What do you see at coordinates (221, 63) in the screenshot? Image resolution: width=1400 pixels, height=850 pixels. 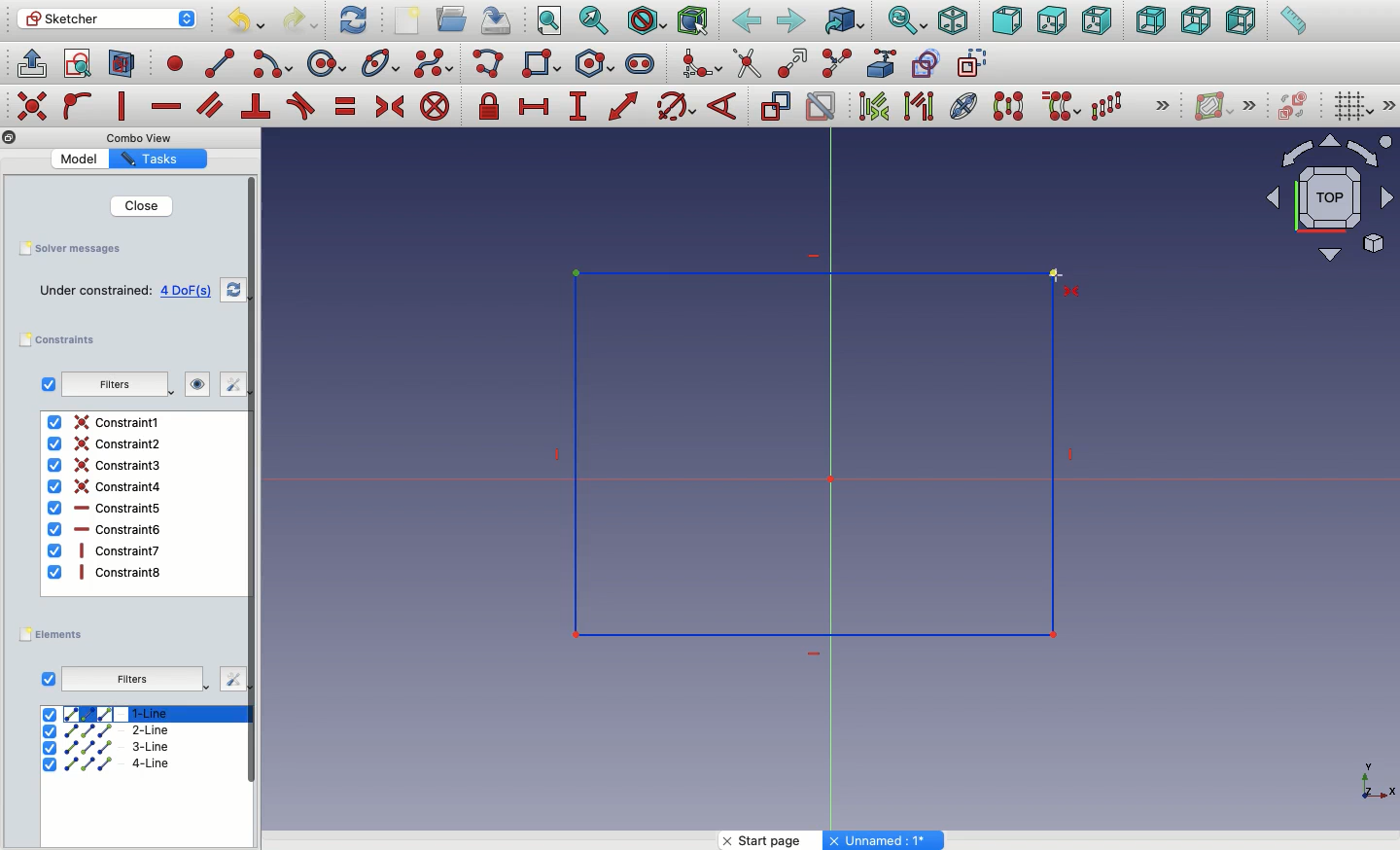 I see `line` at bounding box center [221, 63].